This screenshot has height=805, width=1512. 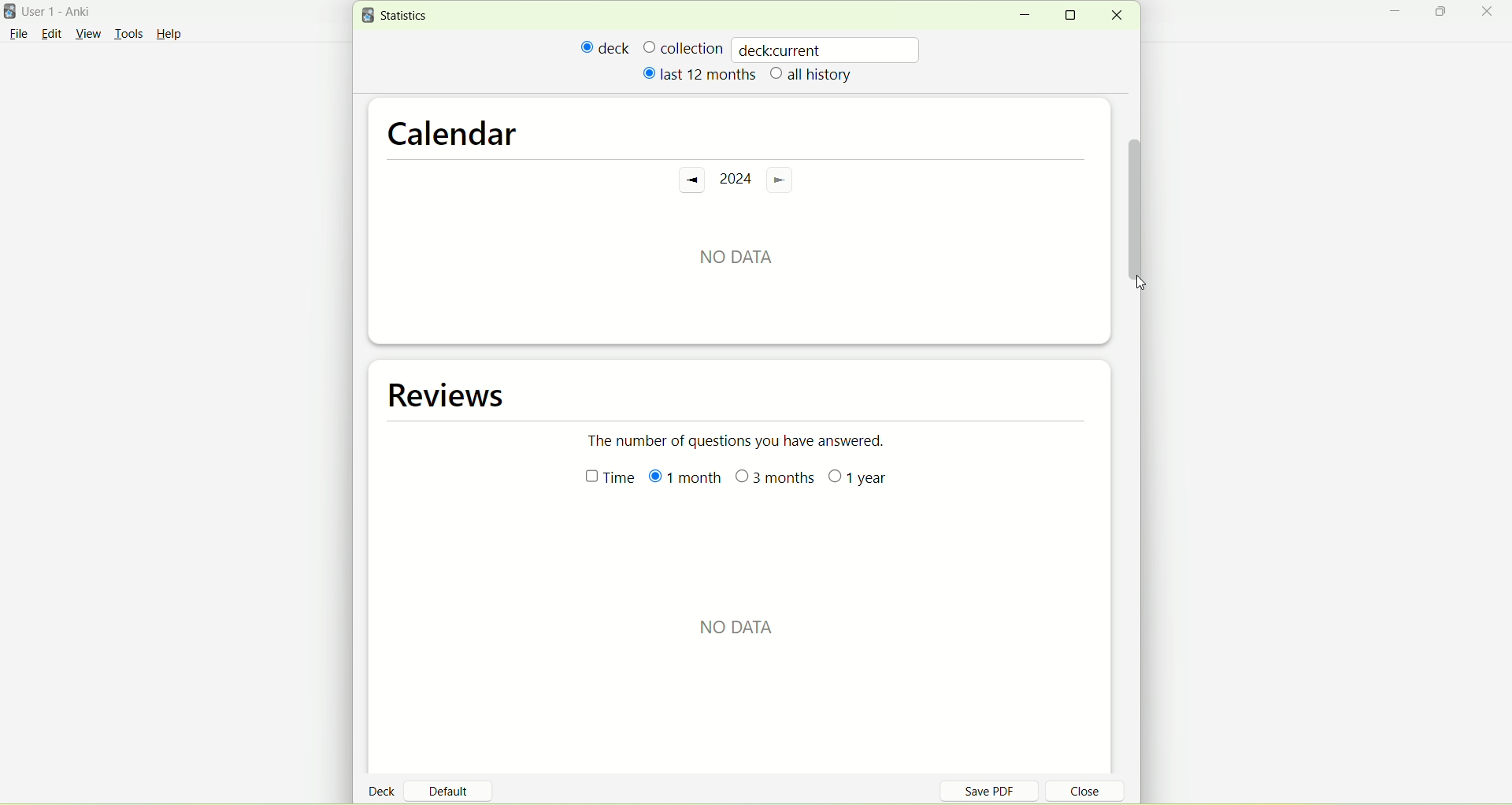 What do you see at coordinates (451, 395) in the screenshot?
I see `reviews` at bounding box center [451, 395].